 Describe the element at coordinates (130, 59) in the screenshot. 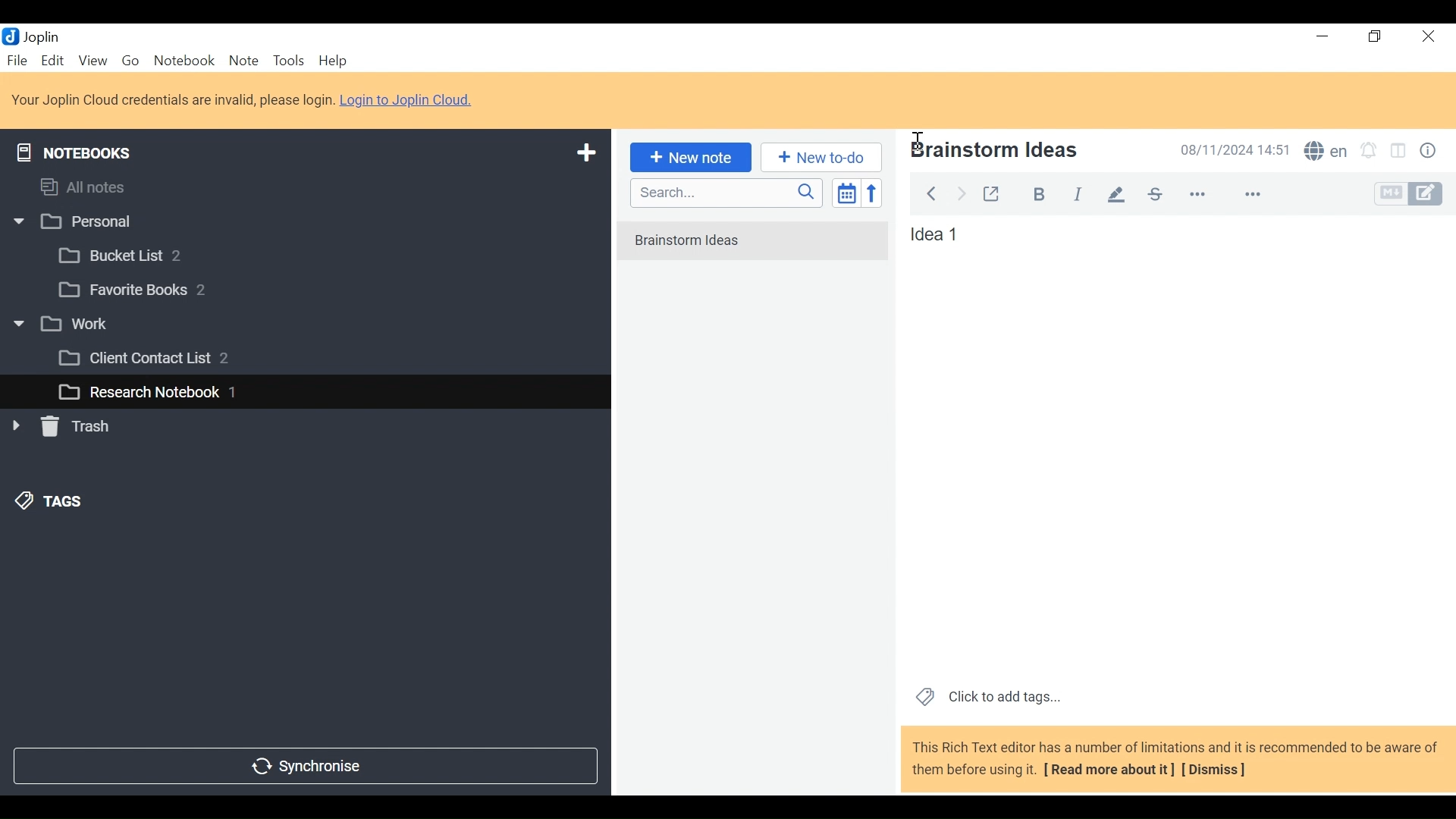

I see `Go` at that location.